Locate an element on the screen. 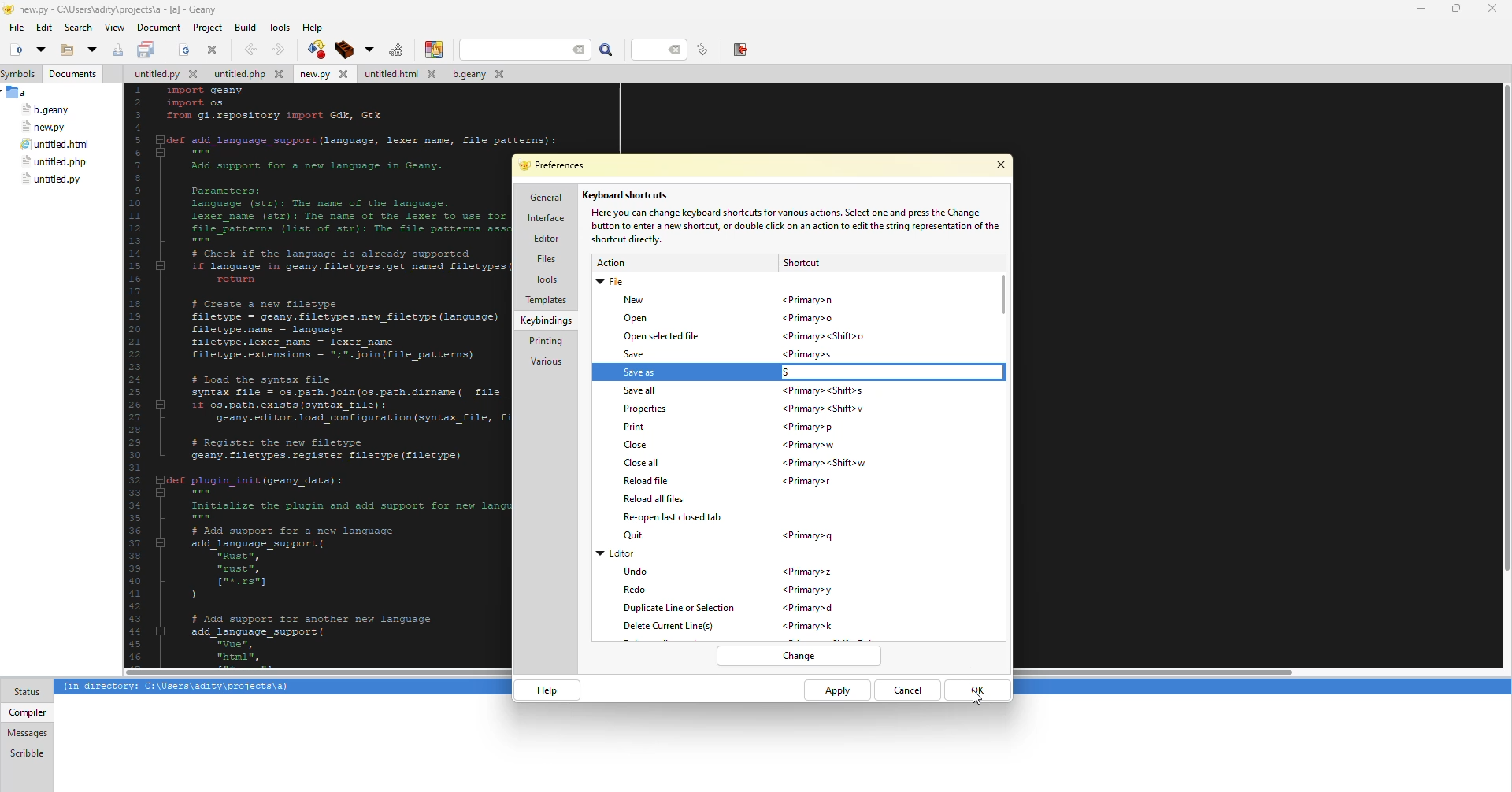  file is located at coordinates (51, 179).